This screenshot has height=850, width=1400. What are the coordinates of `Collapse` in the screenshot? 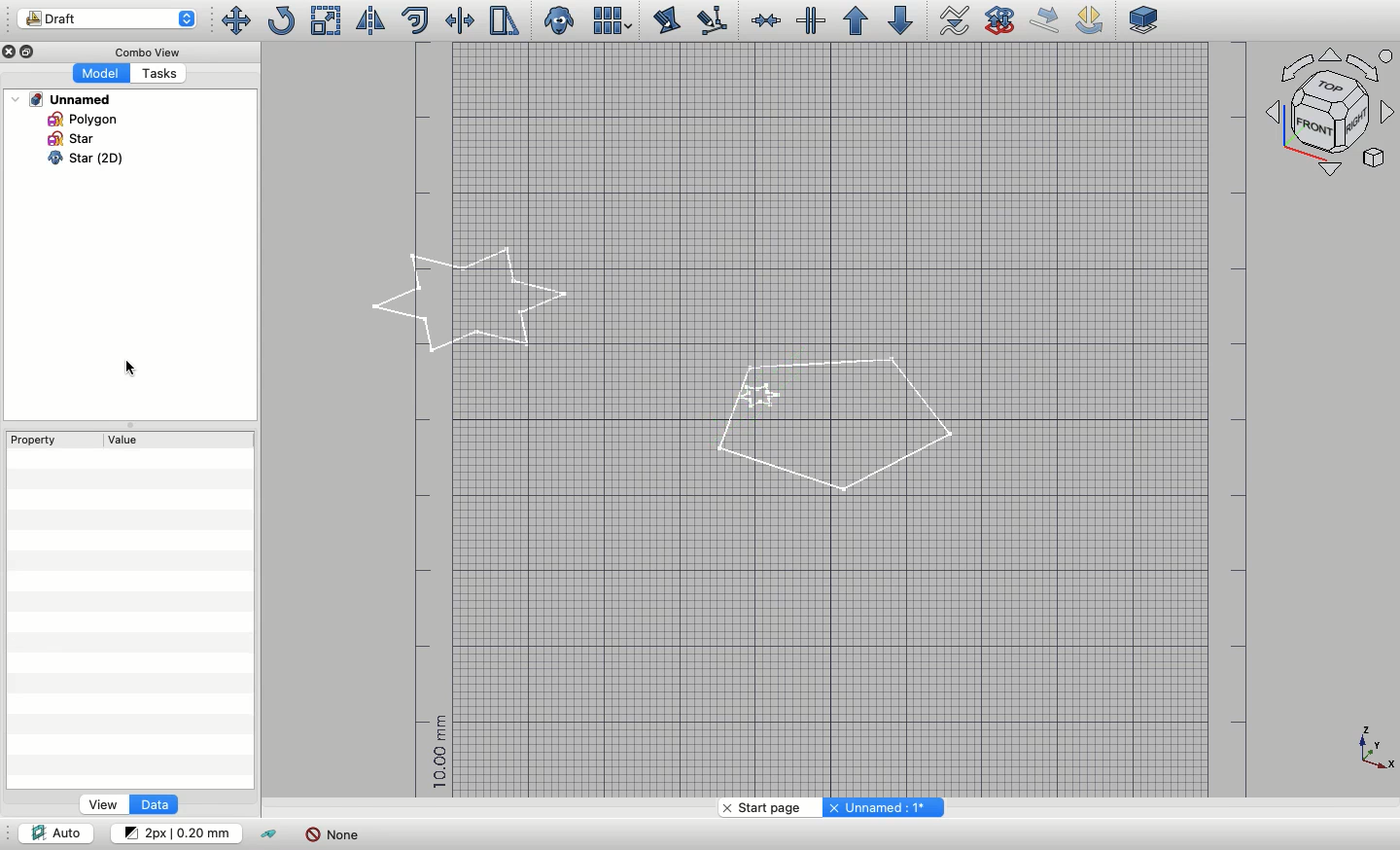 It's located at (30, 52).